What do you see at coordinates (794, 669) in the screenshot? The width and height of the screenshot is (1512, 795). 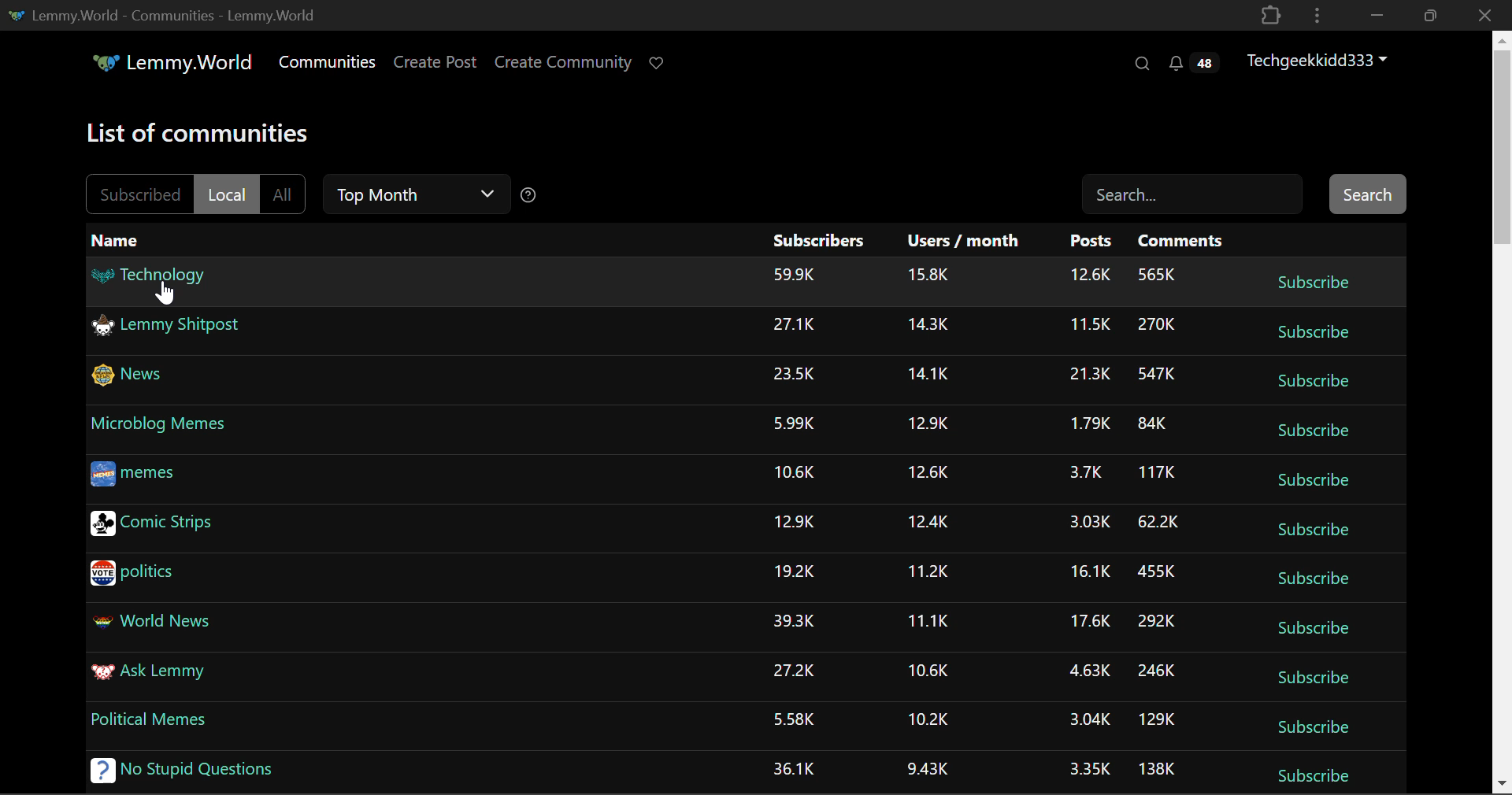 I see `Amount ` at bounding box center [794, 669].